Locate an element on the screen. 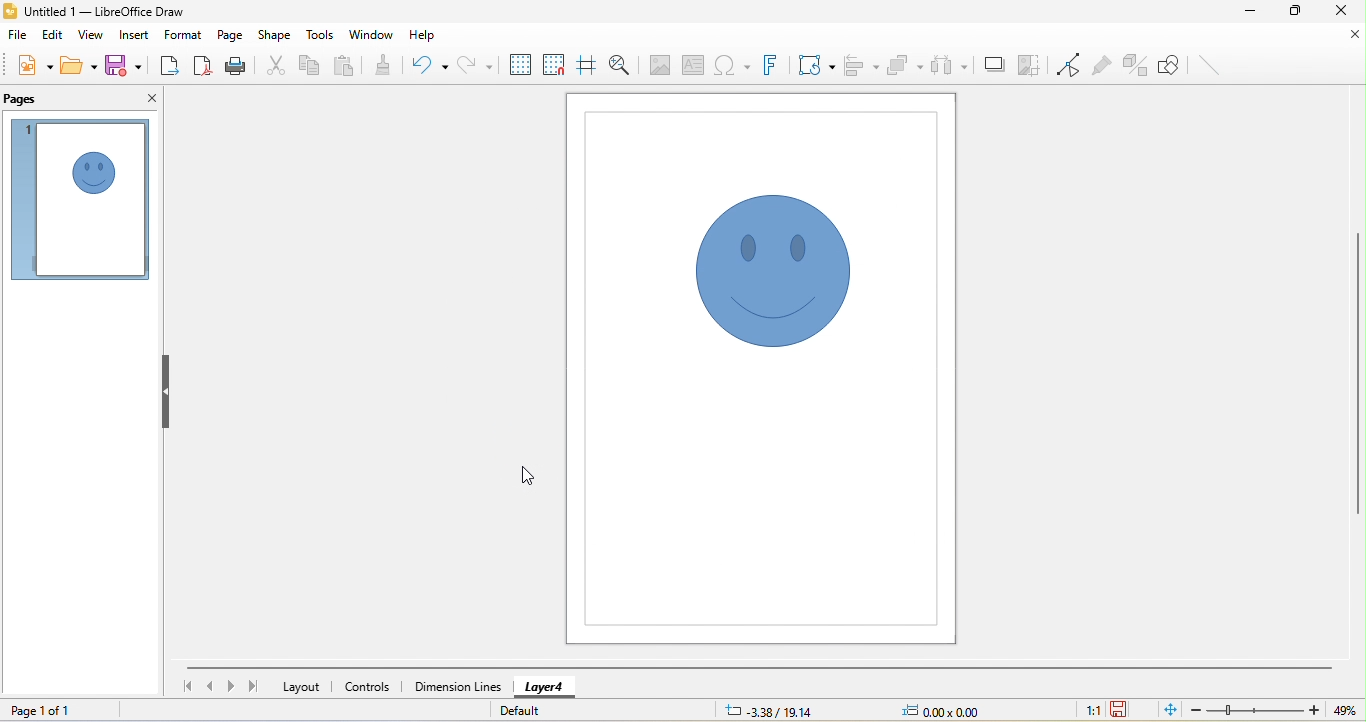  print is located at coordinates (236, 65).